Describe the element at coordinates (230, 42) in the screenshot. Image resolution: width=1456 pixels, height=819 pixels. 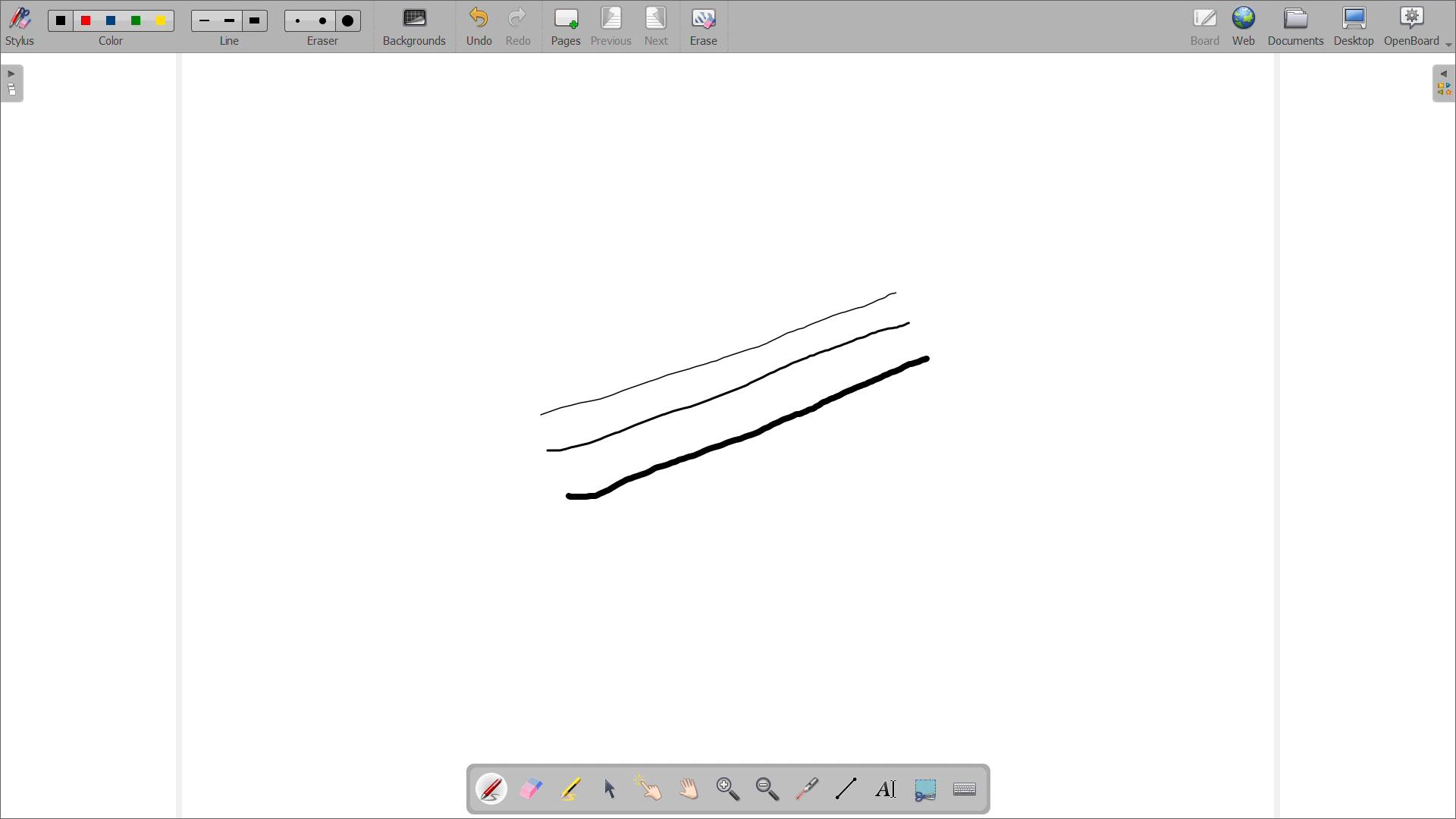
I see `select line width` at that location.